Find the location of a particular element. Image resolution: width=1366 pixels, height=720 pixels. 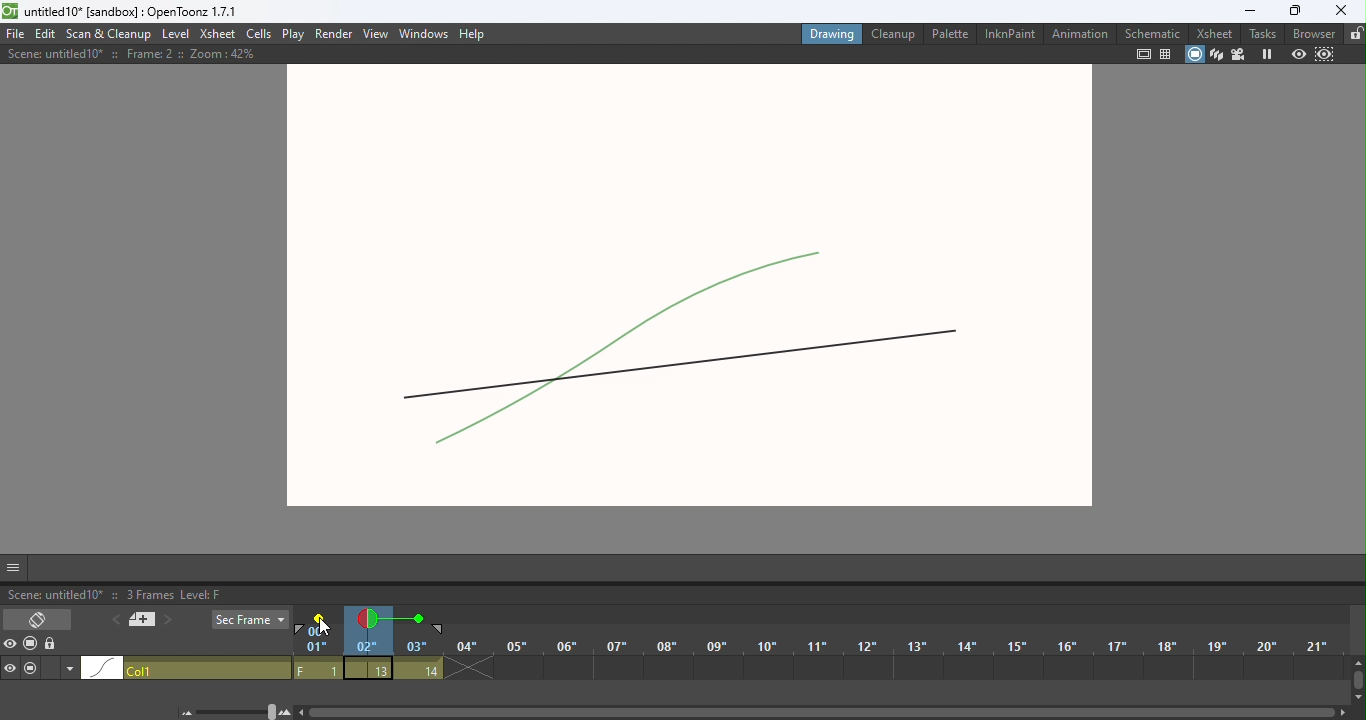

Cleanup is located at coordinates (894, 33).